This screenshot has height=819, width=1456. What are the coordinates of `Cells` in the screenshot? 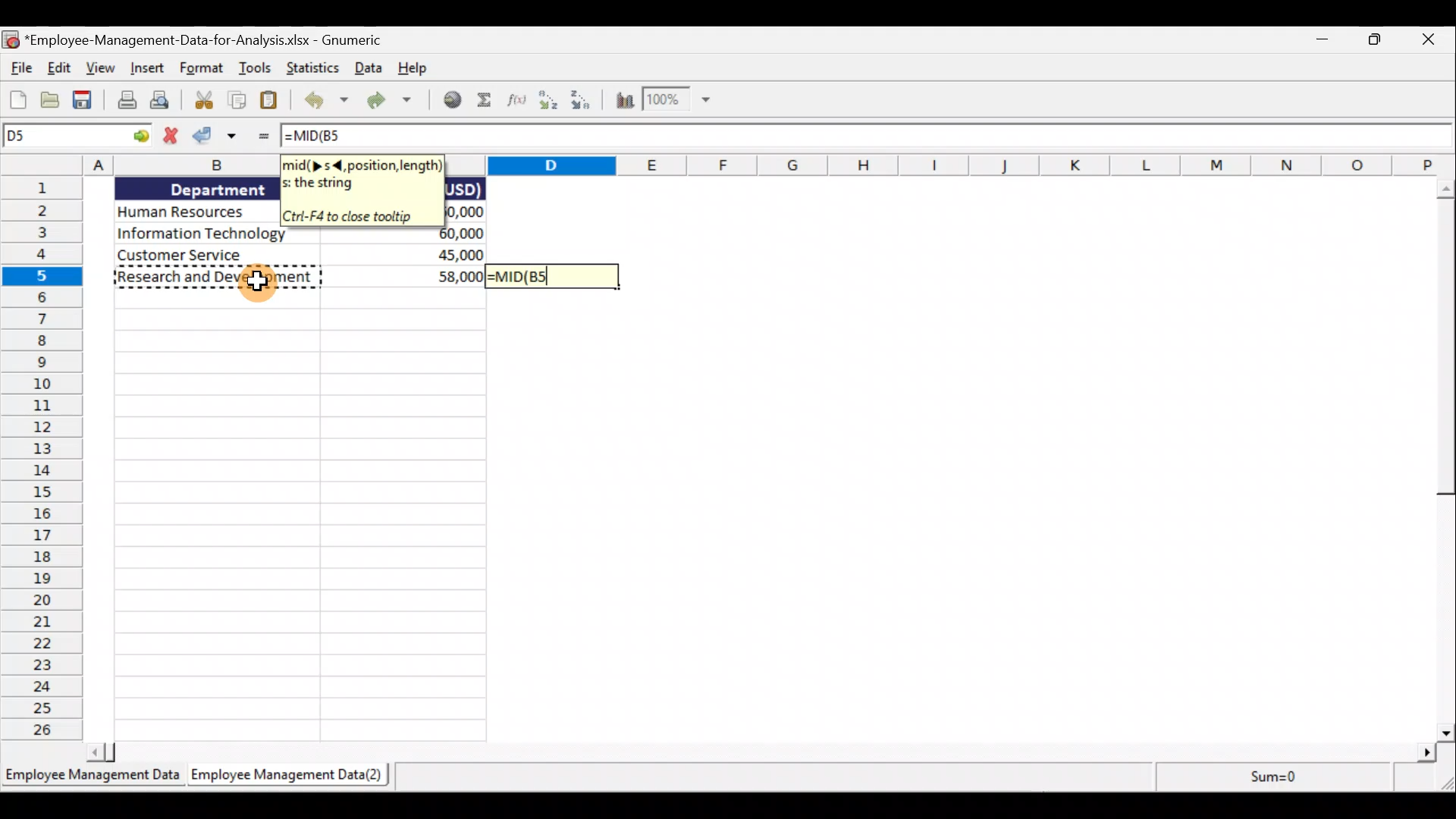 It's located at (297, 516).